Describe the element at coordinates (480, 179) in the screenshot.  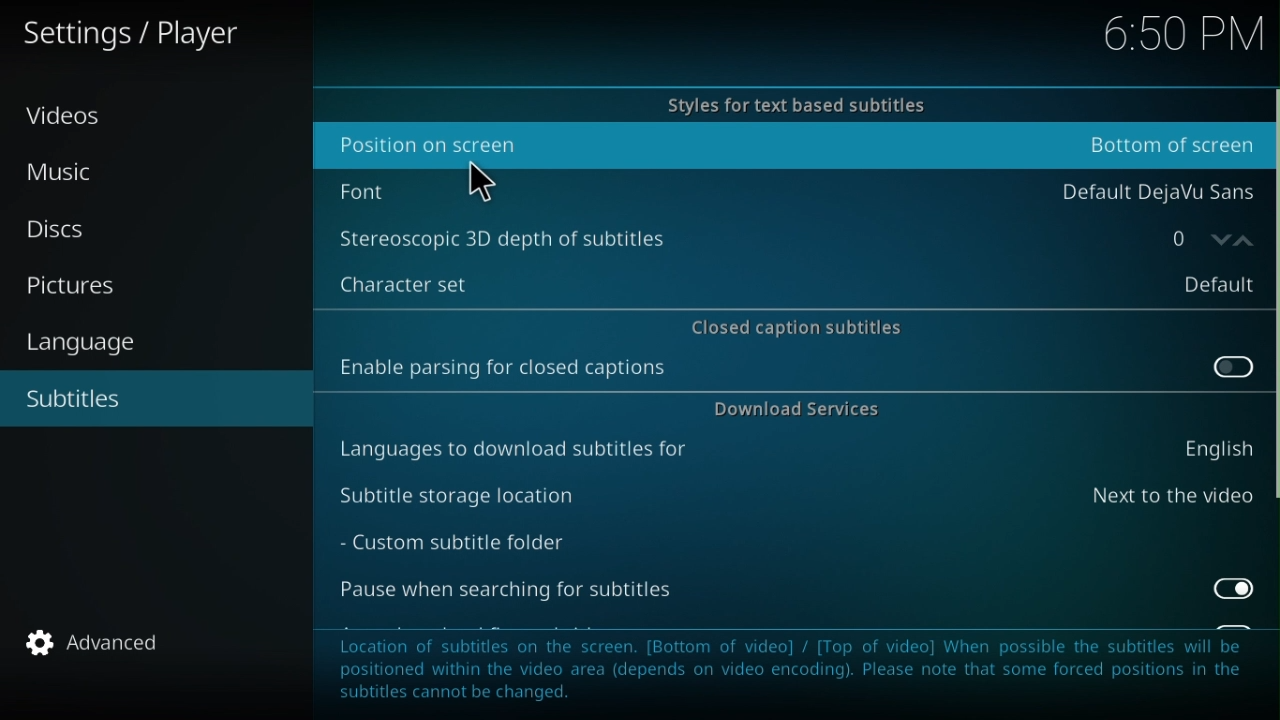
I see `Cursor` at that location.